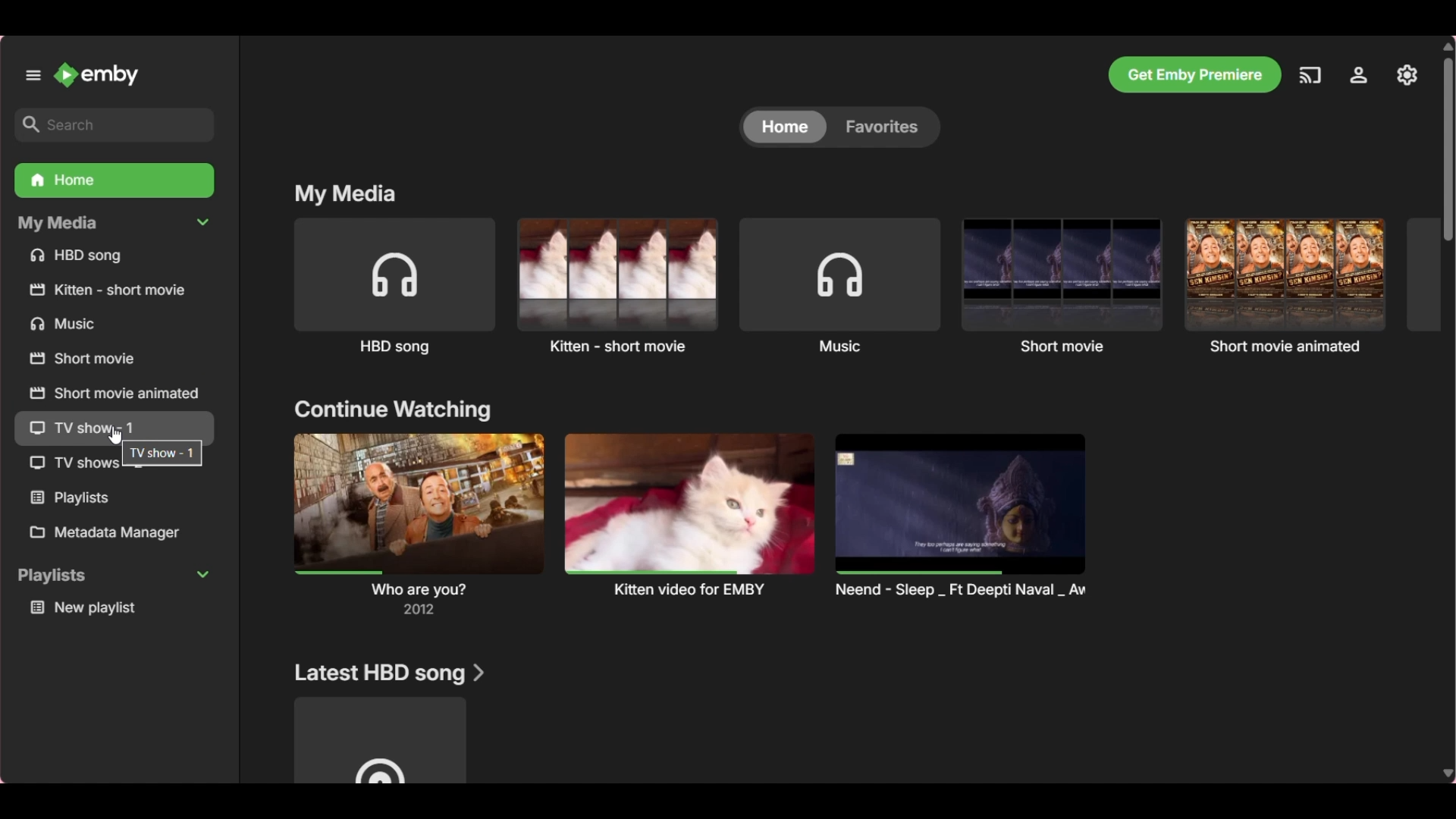 This screenshot has width=1456, height=819. I want to click on Get Emby premiere, so click(1194, 75).